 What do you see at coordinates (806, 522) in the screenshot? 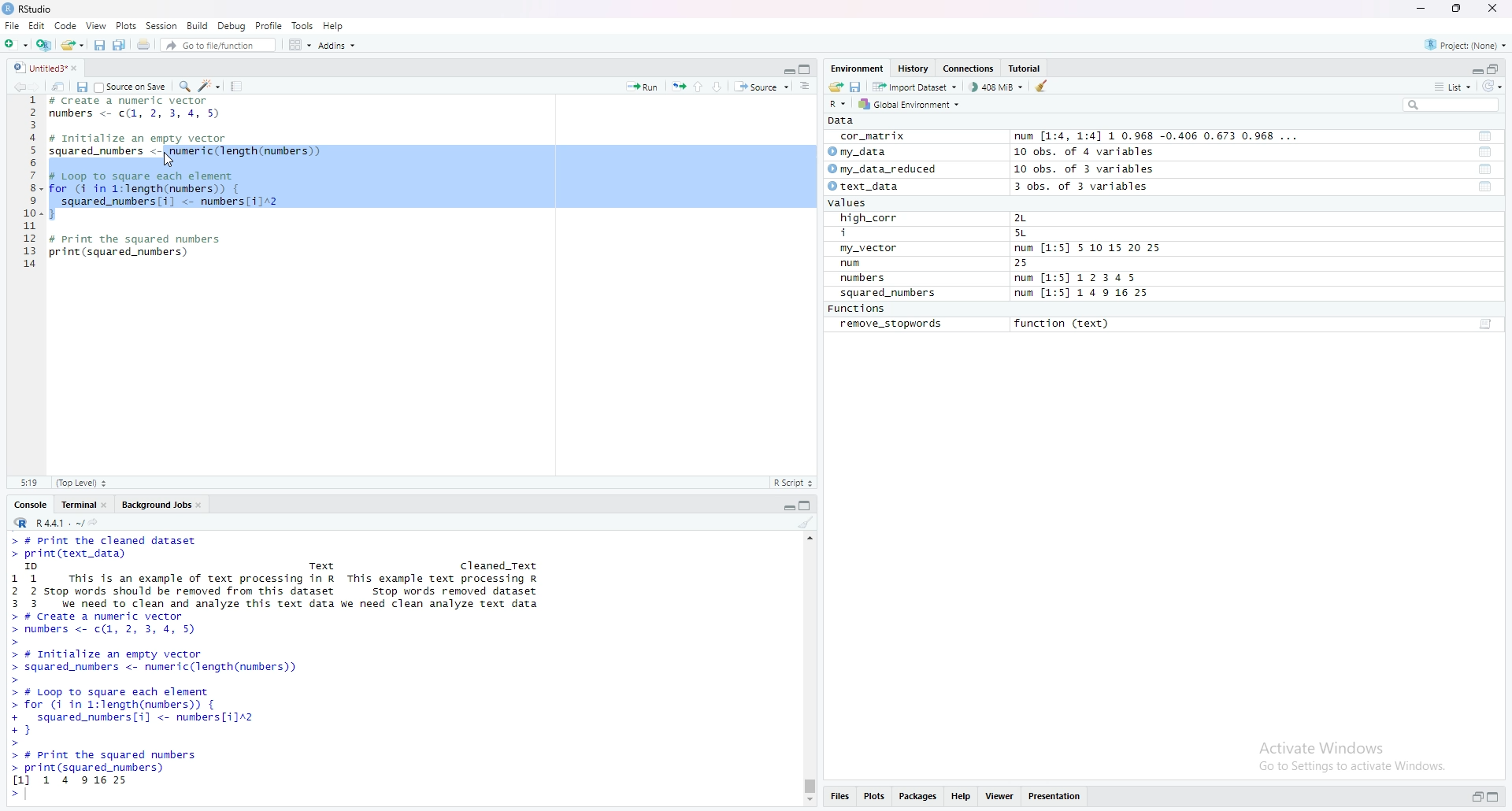
I see `clear console` at bounding box center [806, 522].